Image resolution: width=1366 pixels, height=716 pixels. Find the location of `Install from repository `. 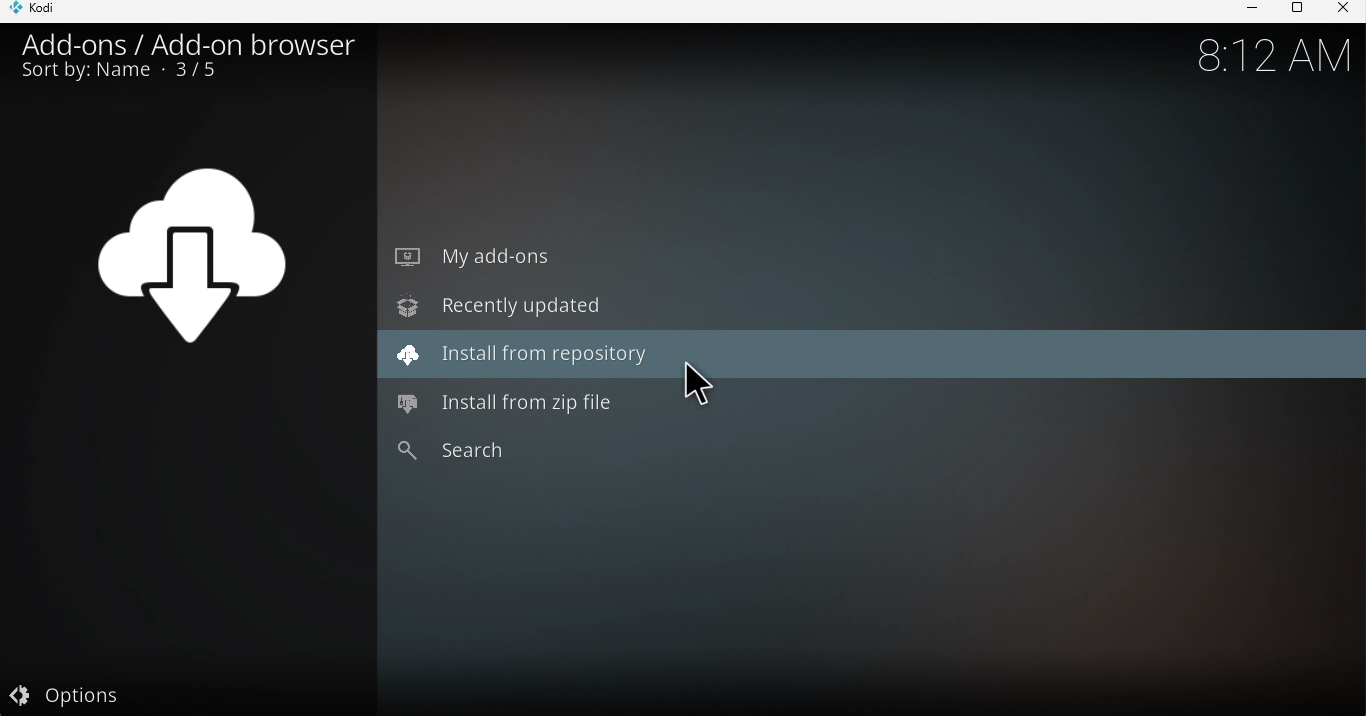

Install from repository  is located at coordinates (870, 353).